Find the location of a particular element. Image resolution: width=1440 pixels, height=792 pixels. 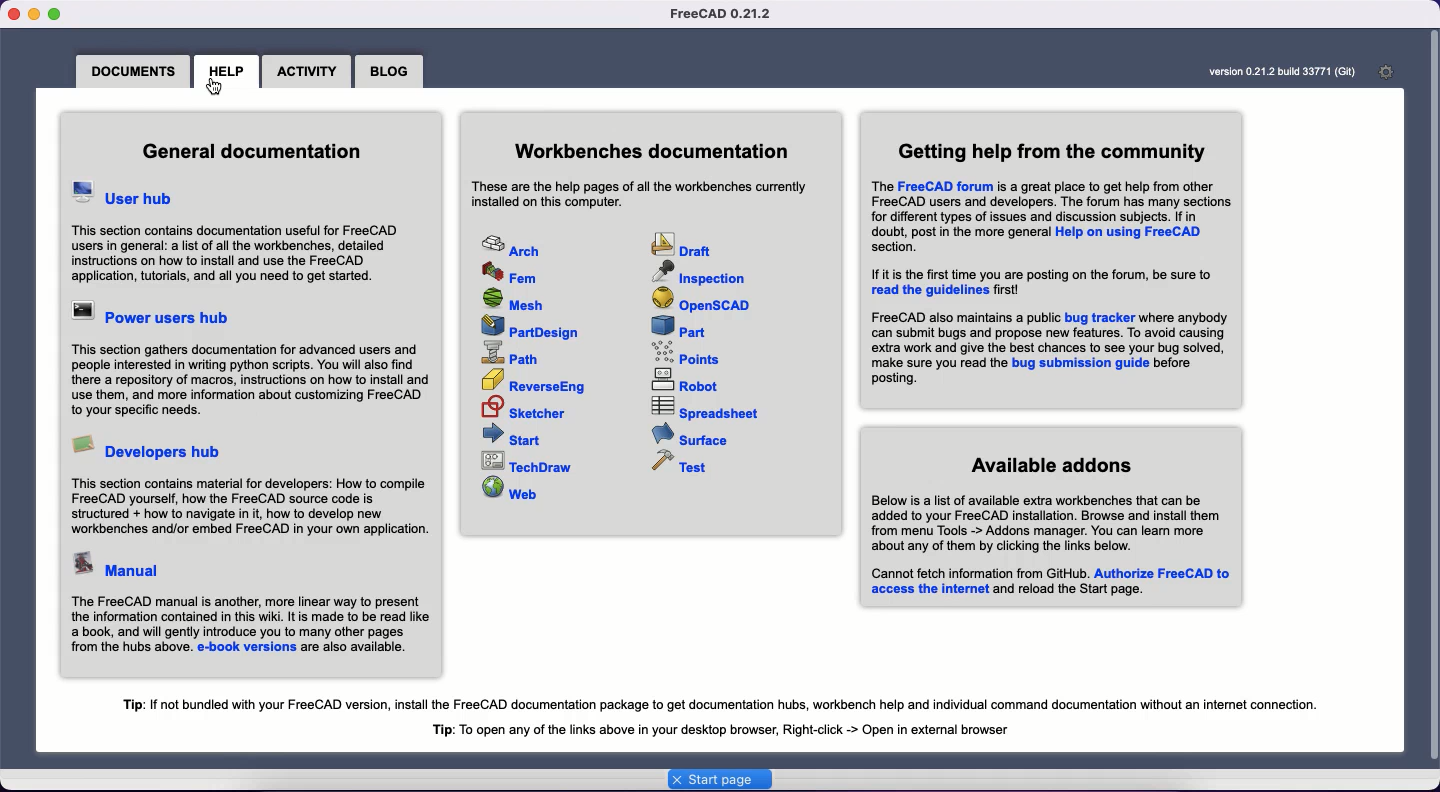

Activity is located at coordinates (305, 69).